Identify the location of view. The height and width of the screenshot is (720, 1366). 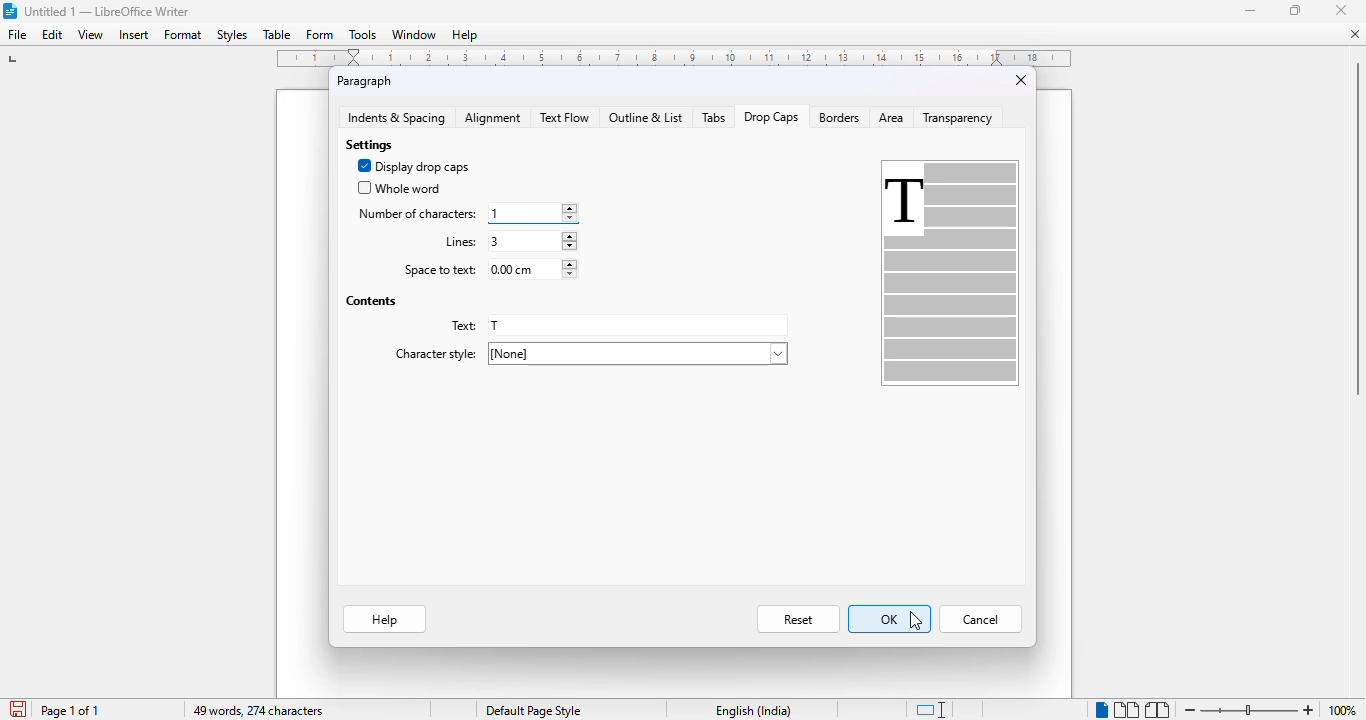
(90, 35).